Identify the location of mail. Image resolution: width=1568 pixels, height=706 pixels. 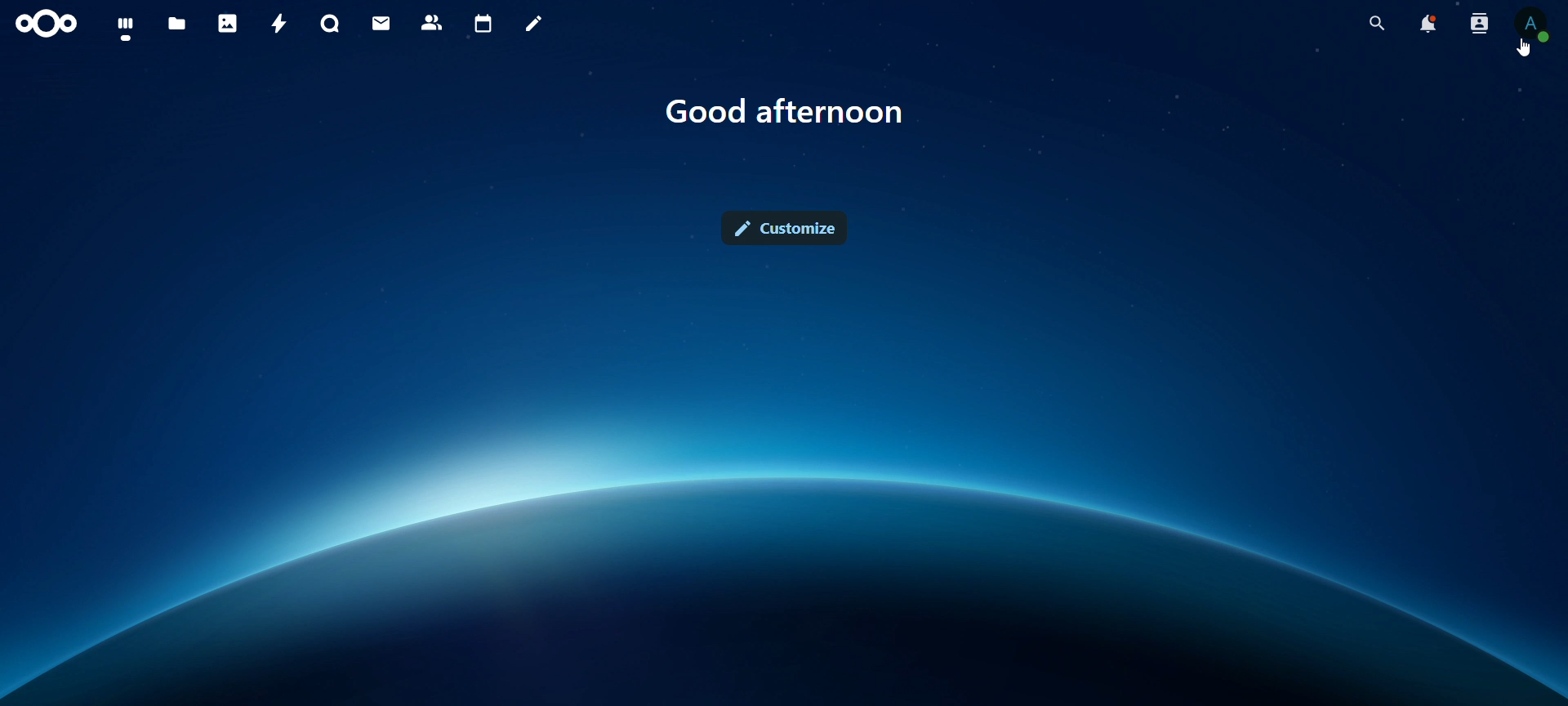
(381, 21).